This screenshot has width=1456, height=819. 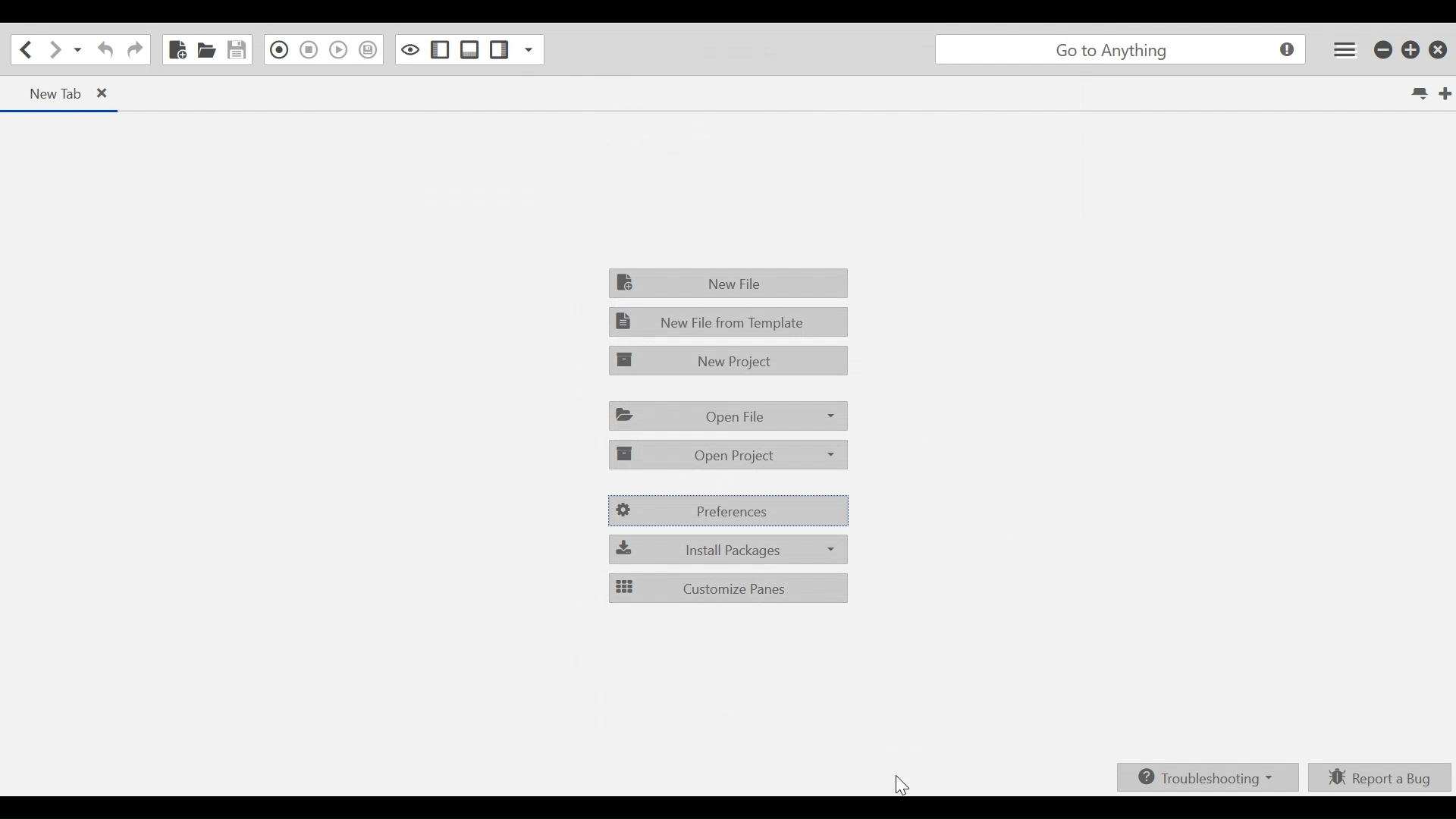 I want to click on Customize Panes, so click(x=726, y=588).